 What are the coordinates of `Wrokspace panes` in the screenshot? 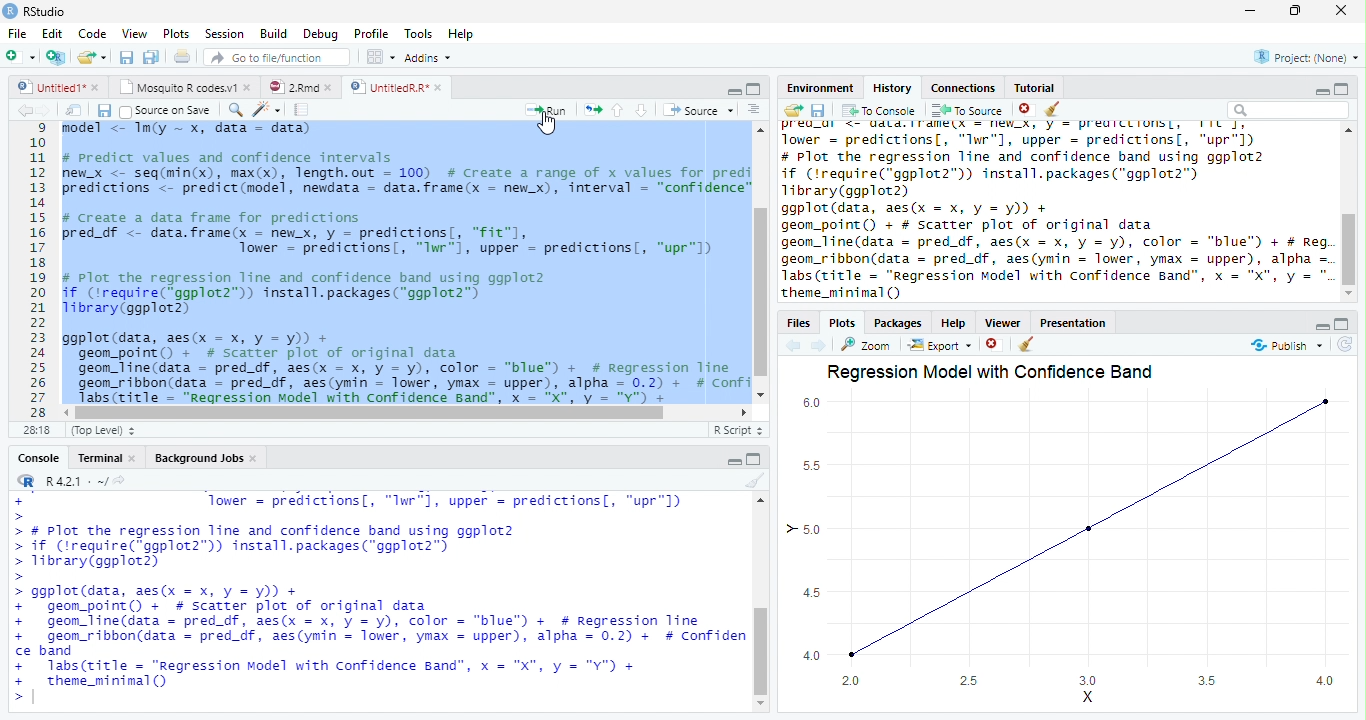 It's located at (379, 57).